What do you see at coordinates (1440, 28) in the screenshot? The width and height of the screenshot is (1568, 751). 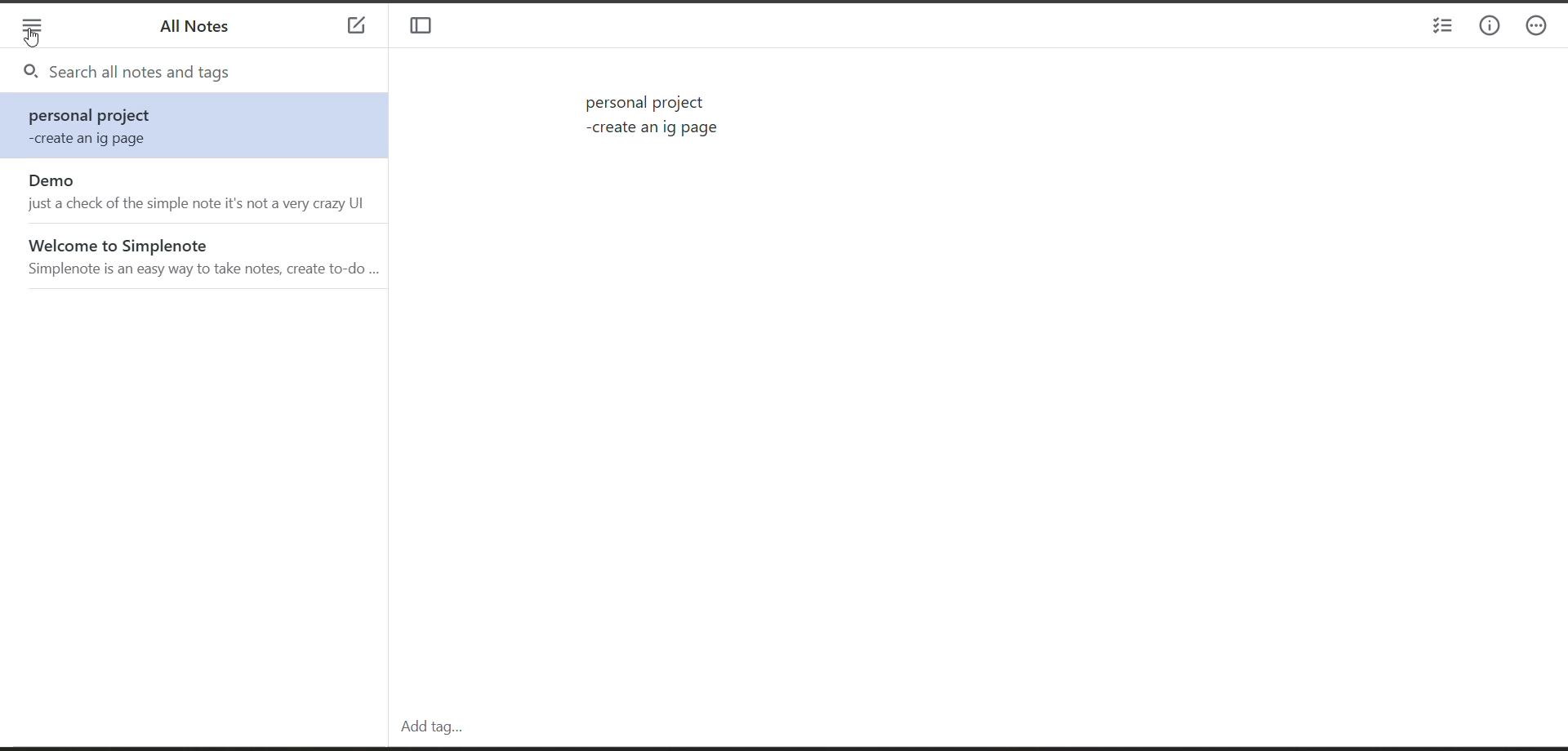 I see `insert checklist` at bounding box center [1440, 28].